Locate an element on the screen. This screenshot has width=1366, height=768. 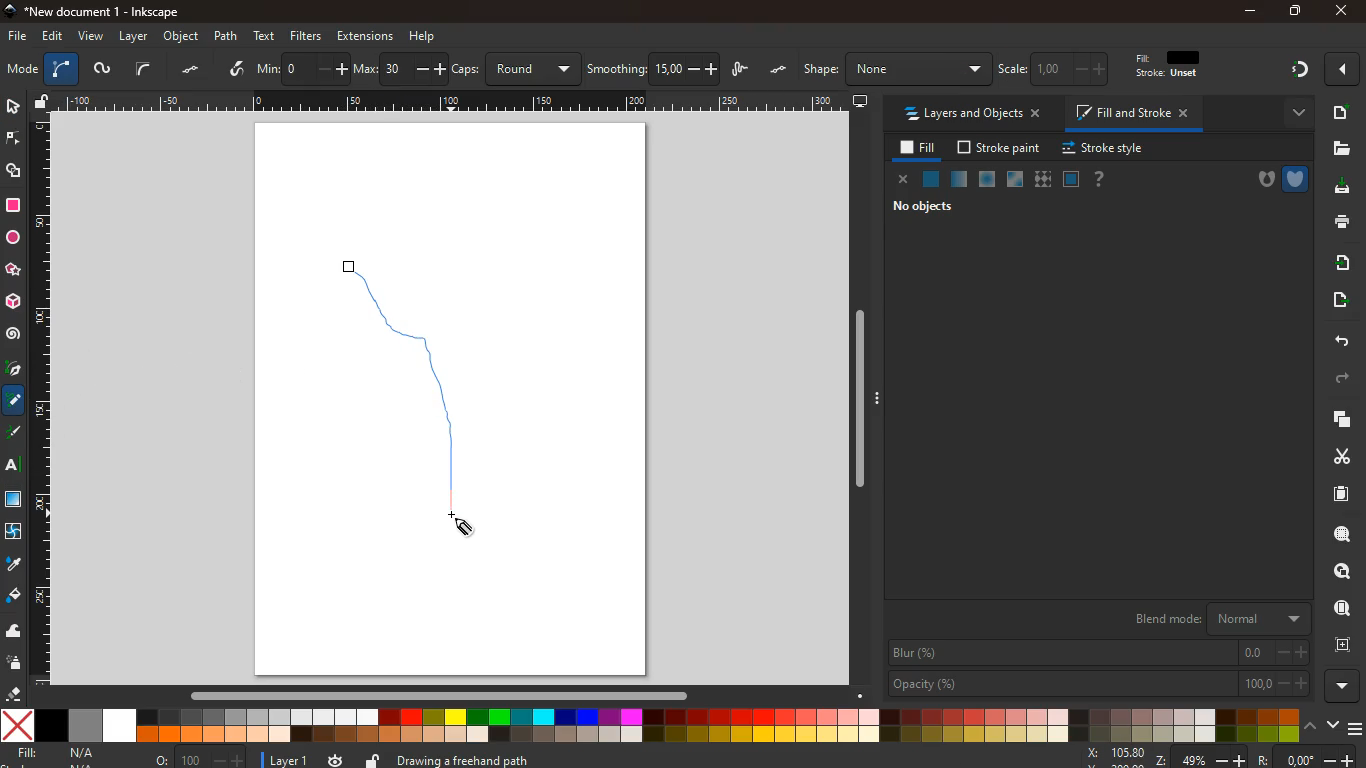
middle is located at coordinates (309, 71).